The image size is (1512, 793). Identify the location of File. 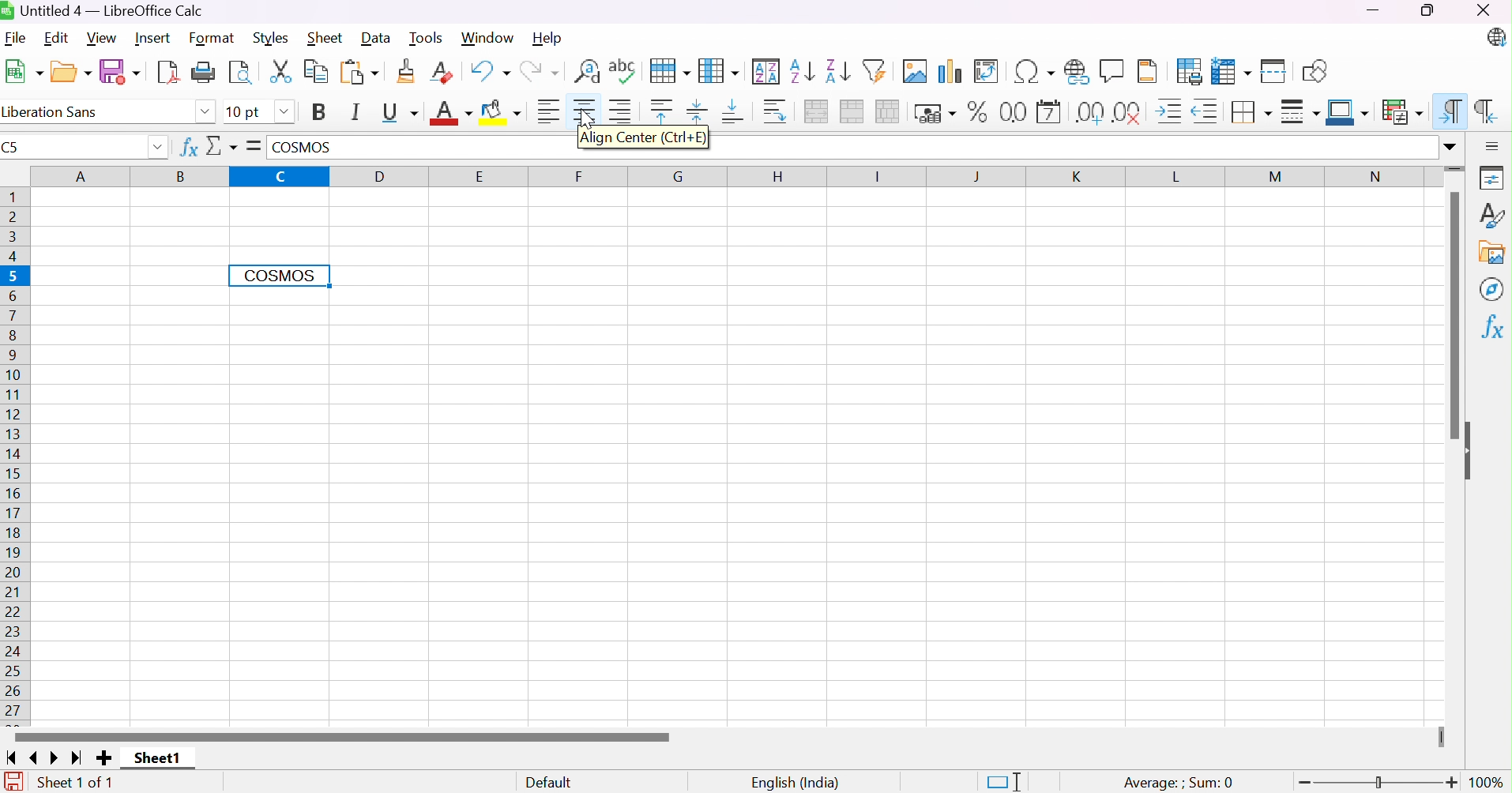
(20, 38).